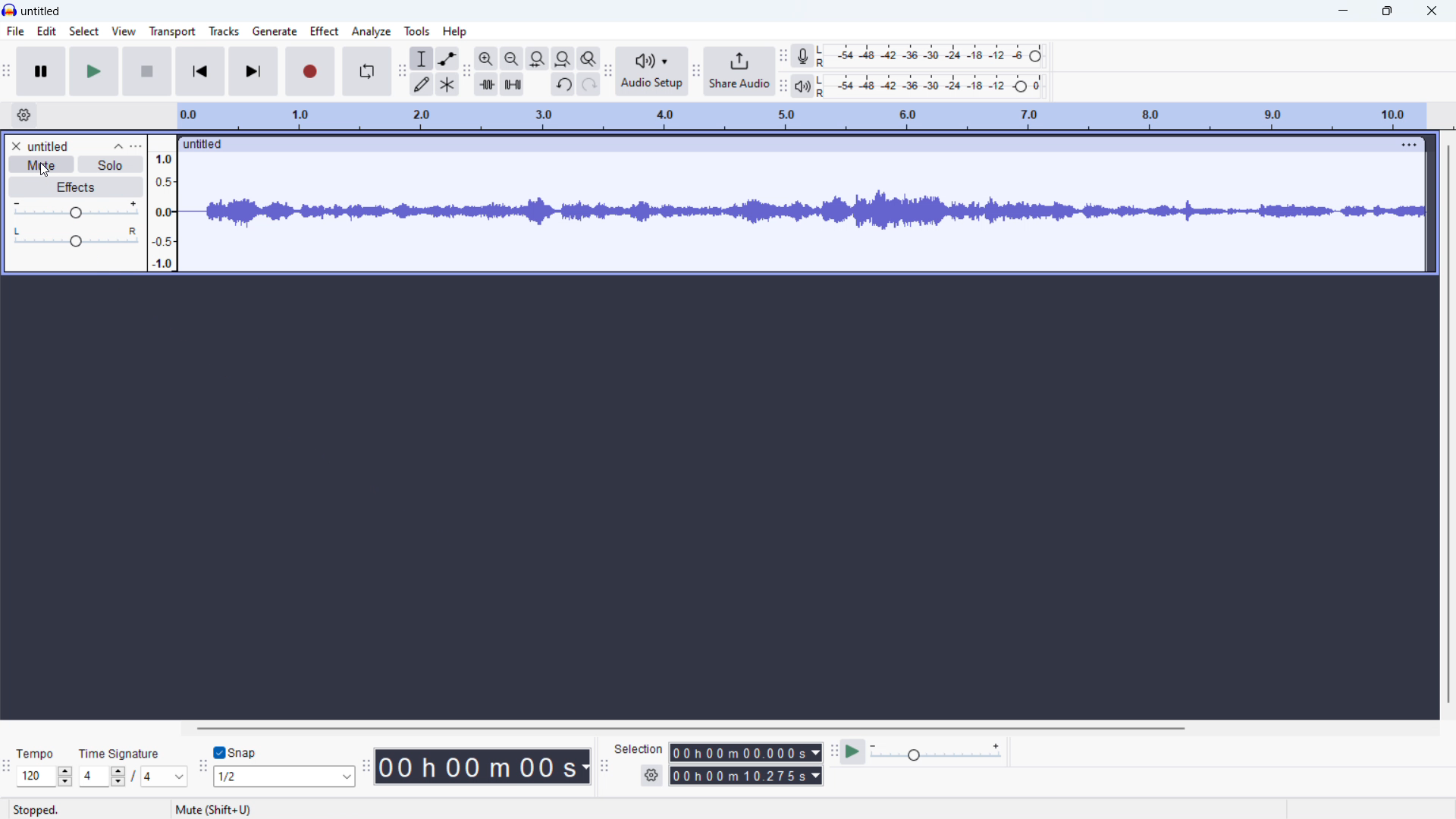 The image size is (1456, 819). I want to click on selection toolbar, so click(604, 767).